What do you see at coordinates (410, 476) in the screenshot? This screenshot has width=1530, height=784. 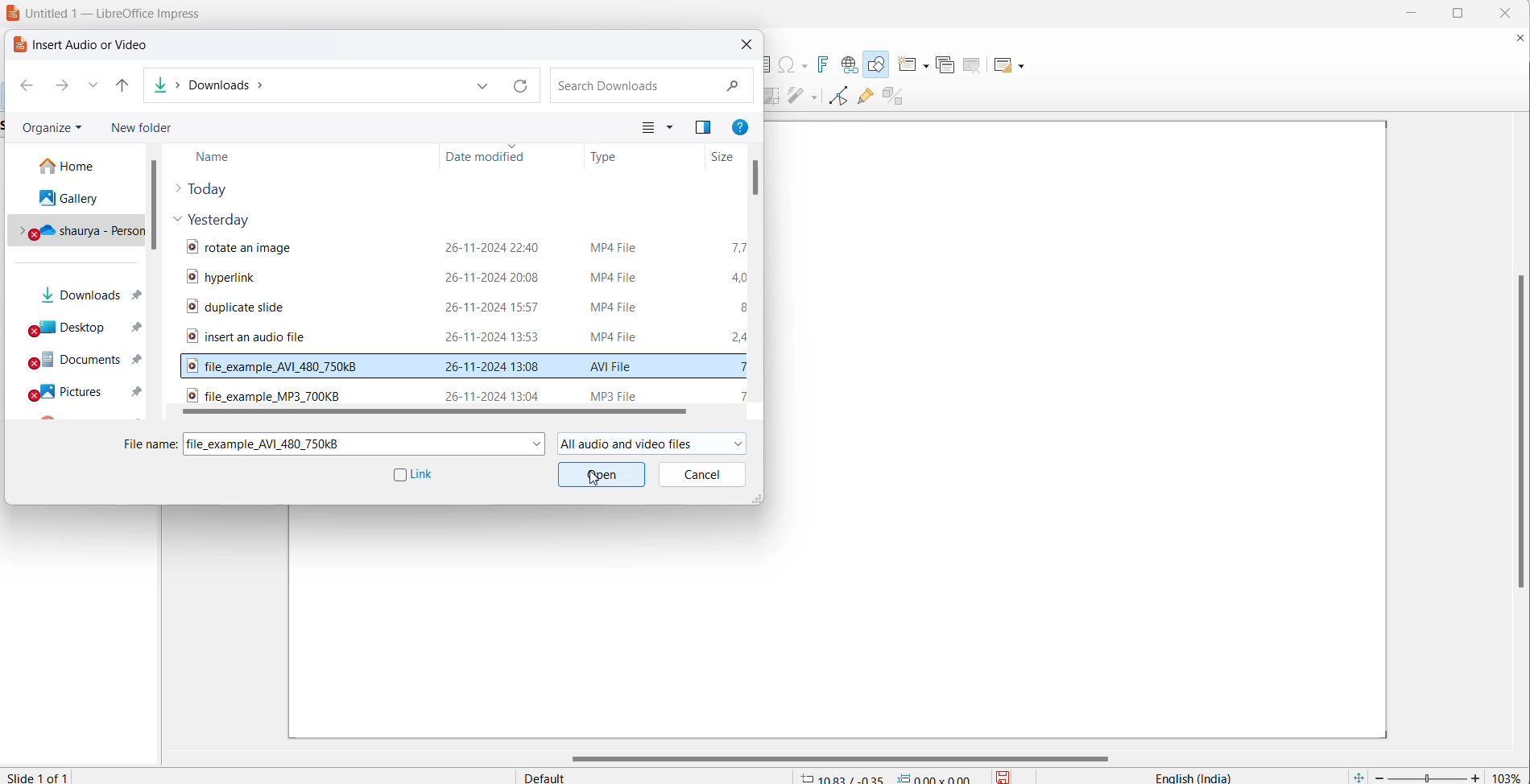 I see `link checkbox` at bounding box center [410, 476].